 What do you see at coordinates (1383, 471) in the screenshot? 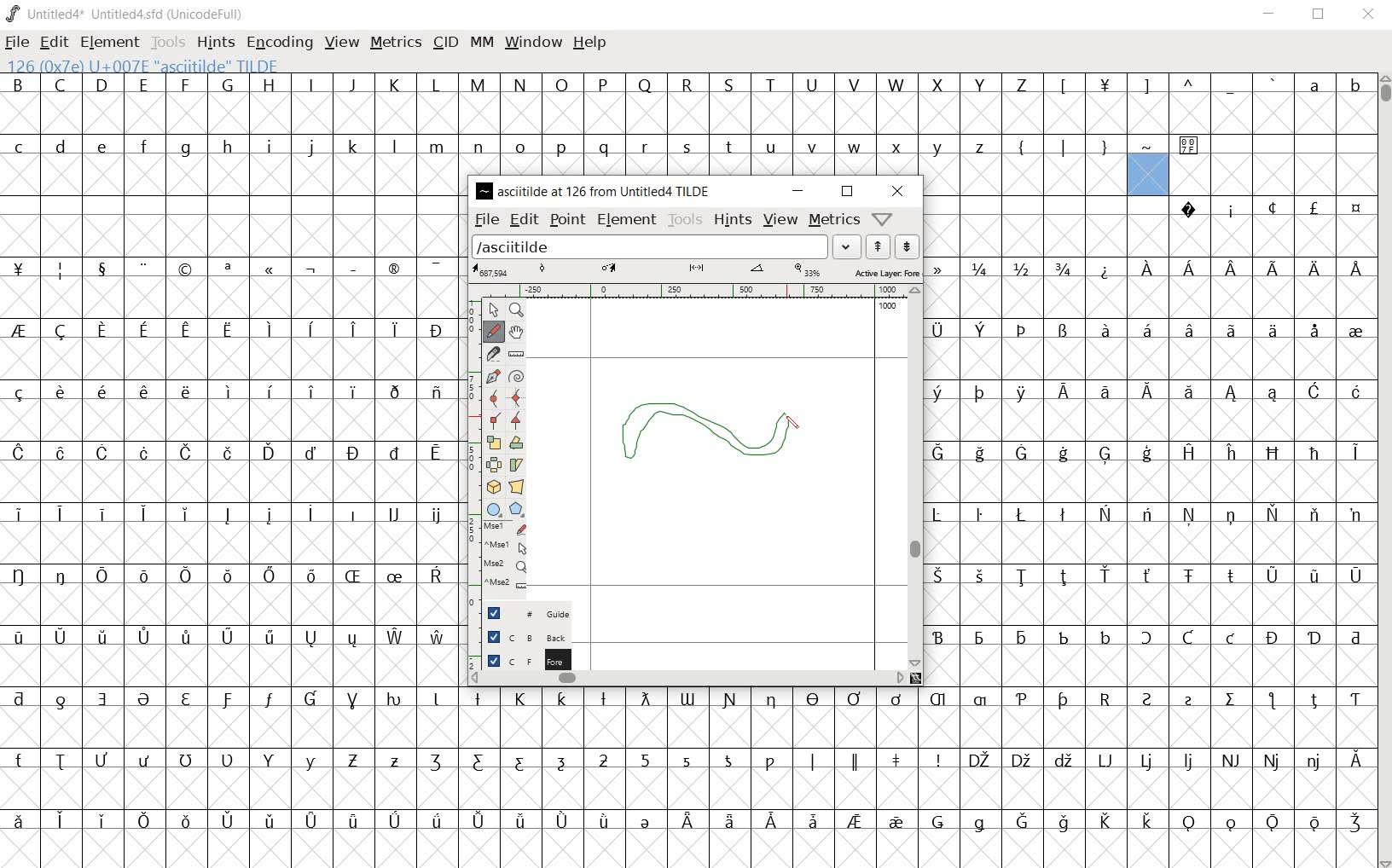
I see `SCROLLBAR` at bounding box center [1383, 471].